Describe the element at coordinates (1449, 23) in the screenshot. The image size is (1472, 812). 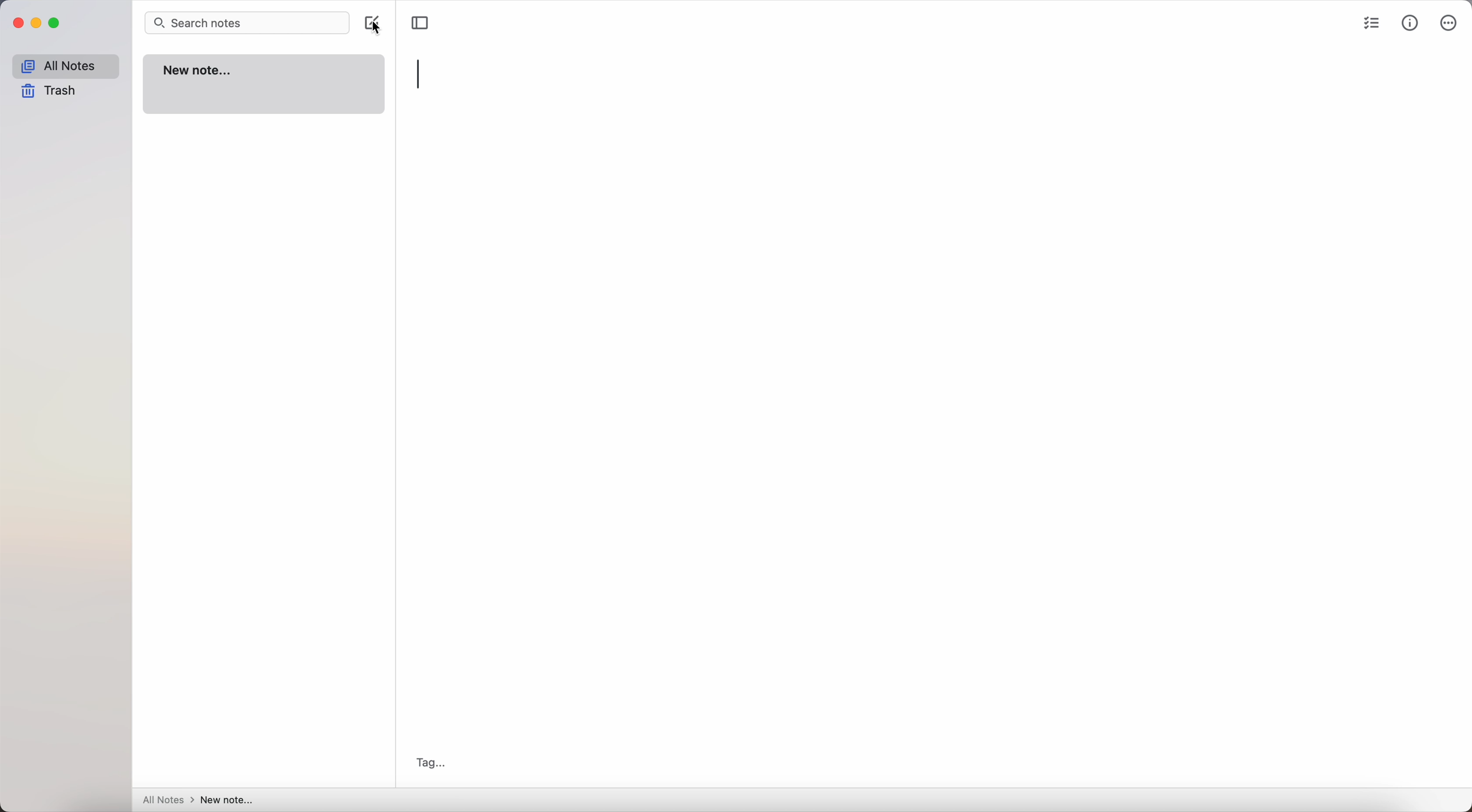
I see `more options` at that location.